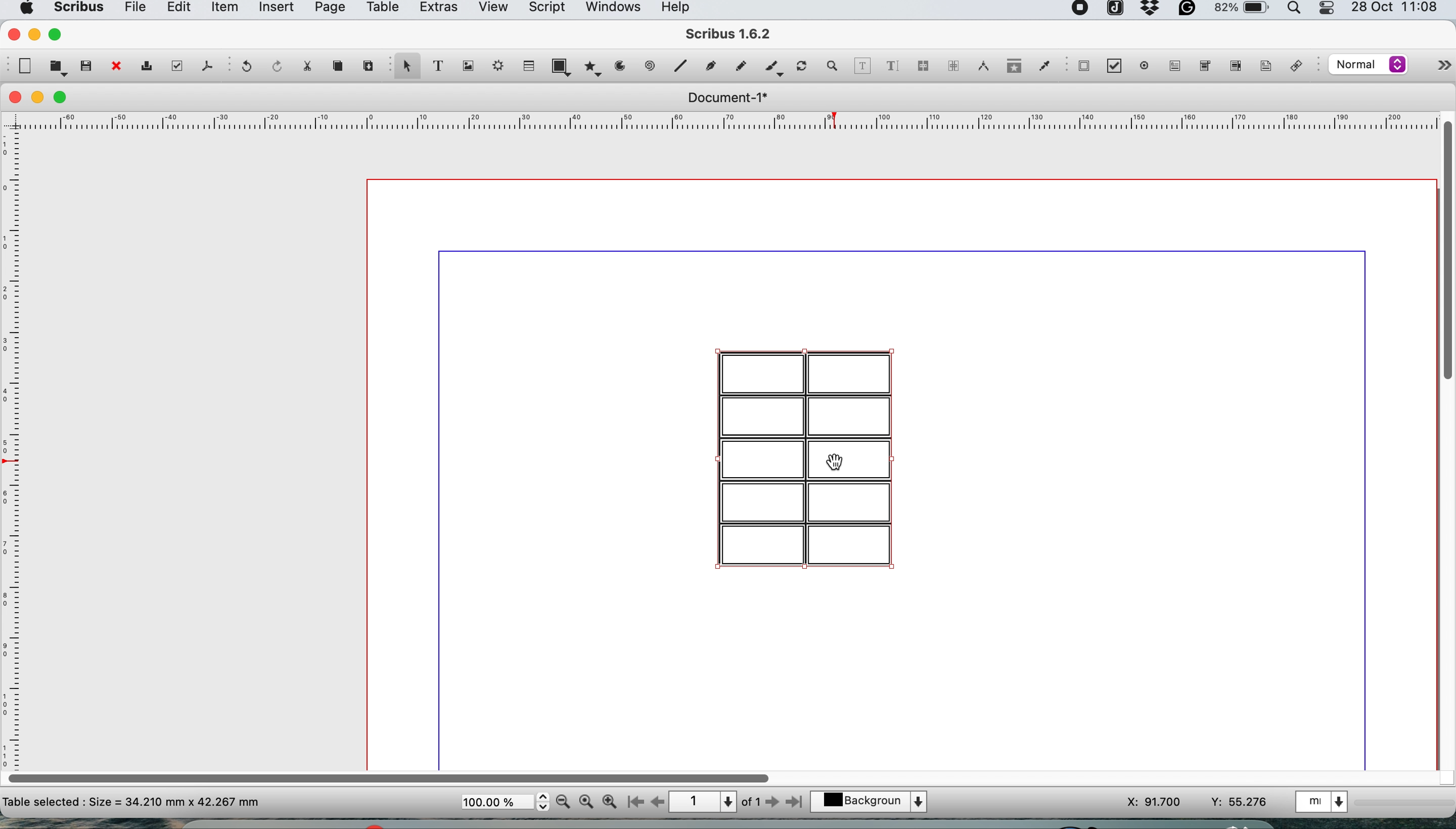  Describe the element at coordinates (24, 9) in the screenshot. I see `system logo` at that location.